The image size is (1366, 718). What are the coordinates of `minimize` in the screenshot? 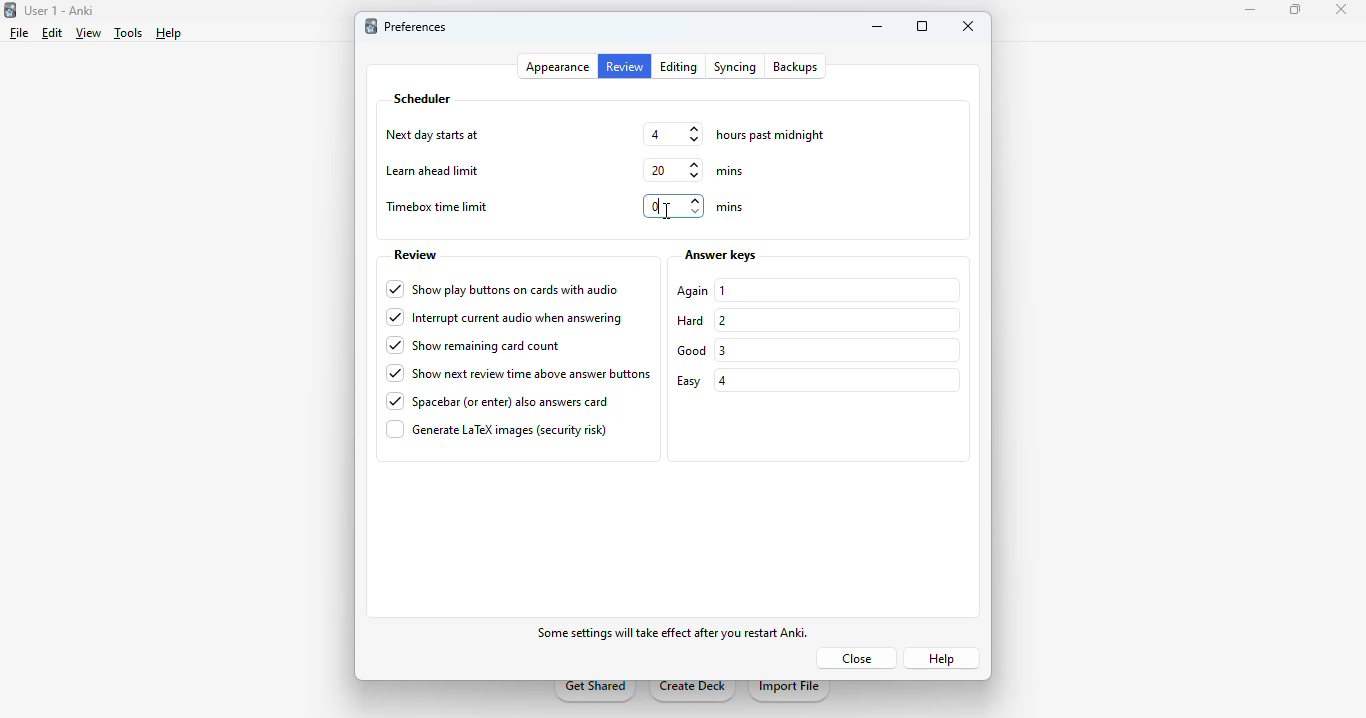 It's located at (1252, 10).